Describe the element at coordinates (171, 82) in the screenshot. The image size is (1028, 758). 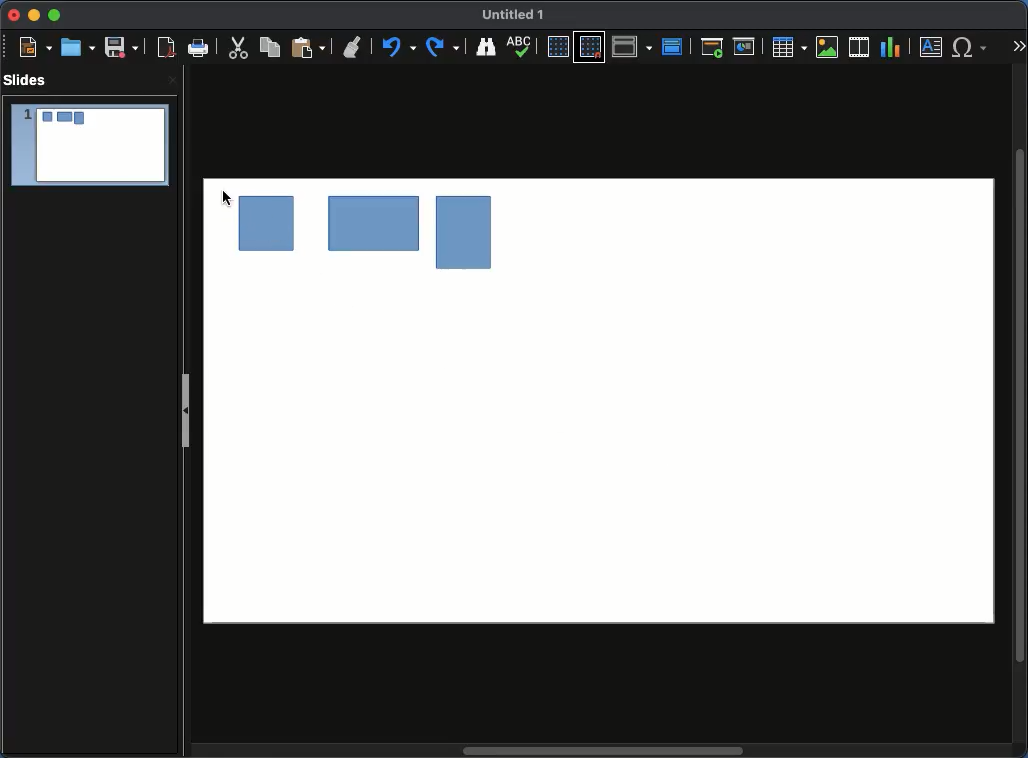
I see `Close` at that location.